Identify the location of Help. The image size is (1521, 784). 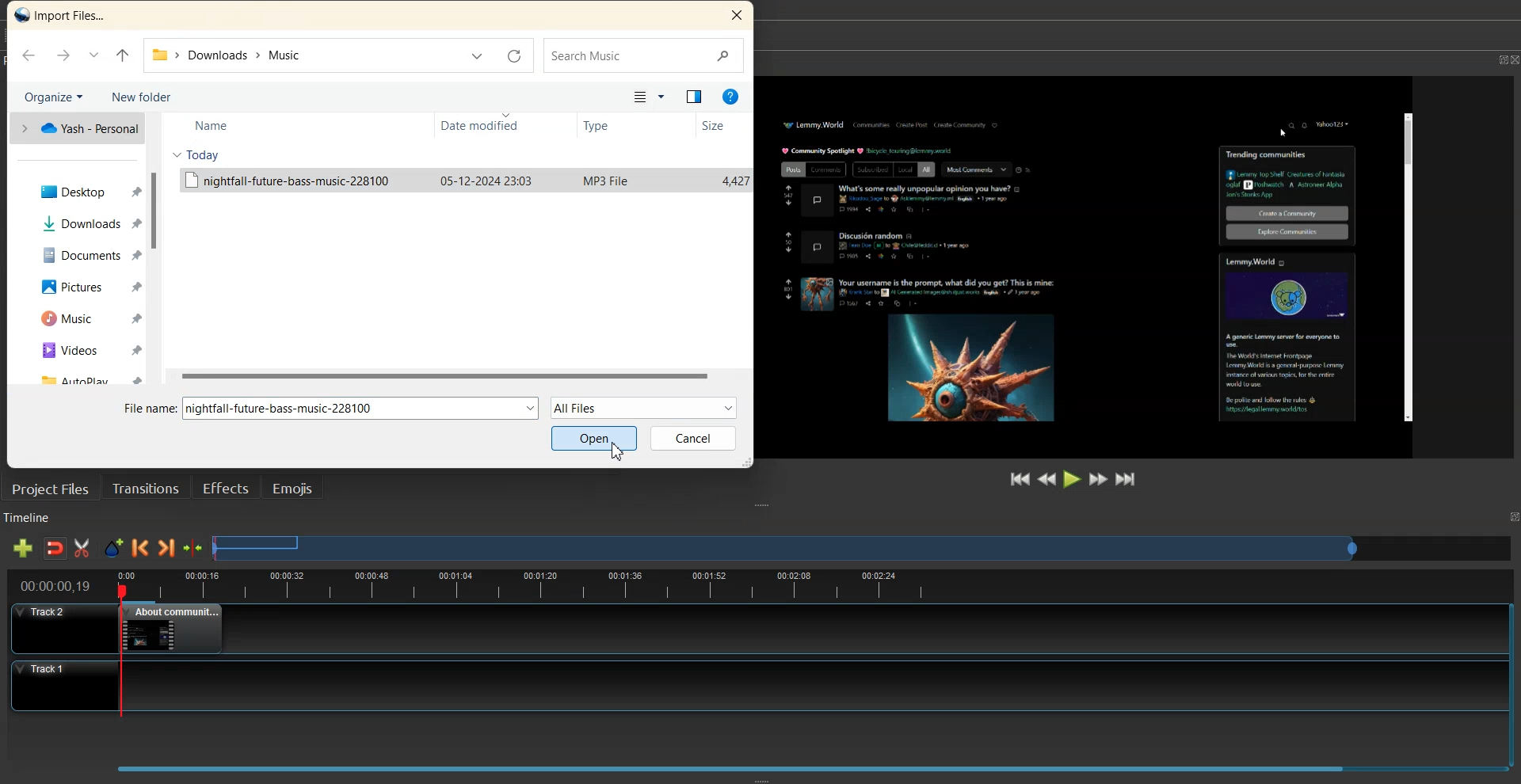
(732, 97).